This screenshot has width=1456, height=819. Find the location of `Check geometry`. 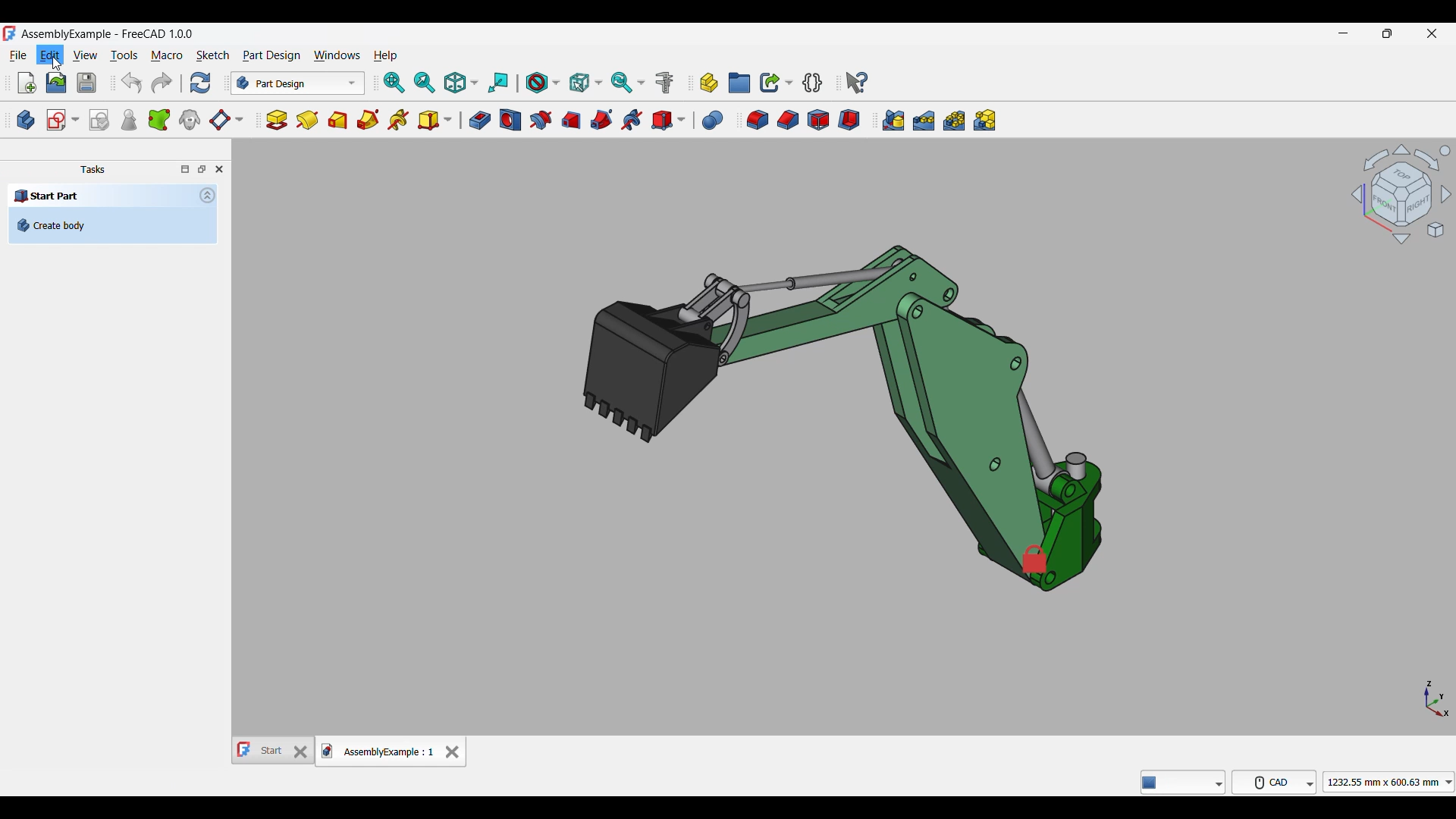

Check geometry is located at coordinates (128, 119).